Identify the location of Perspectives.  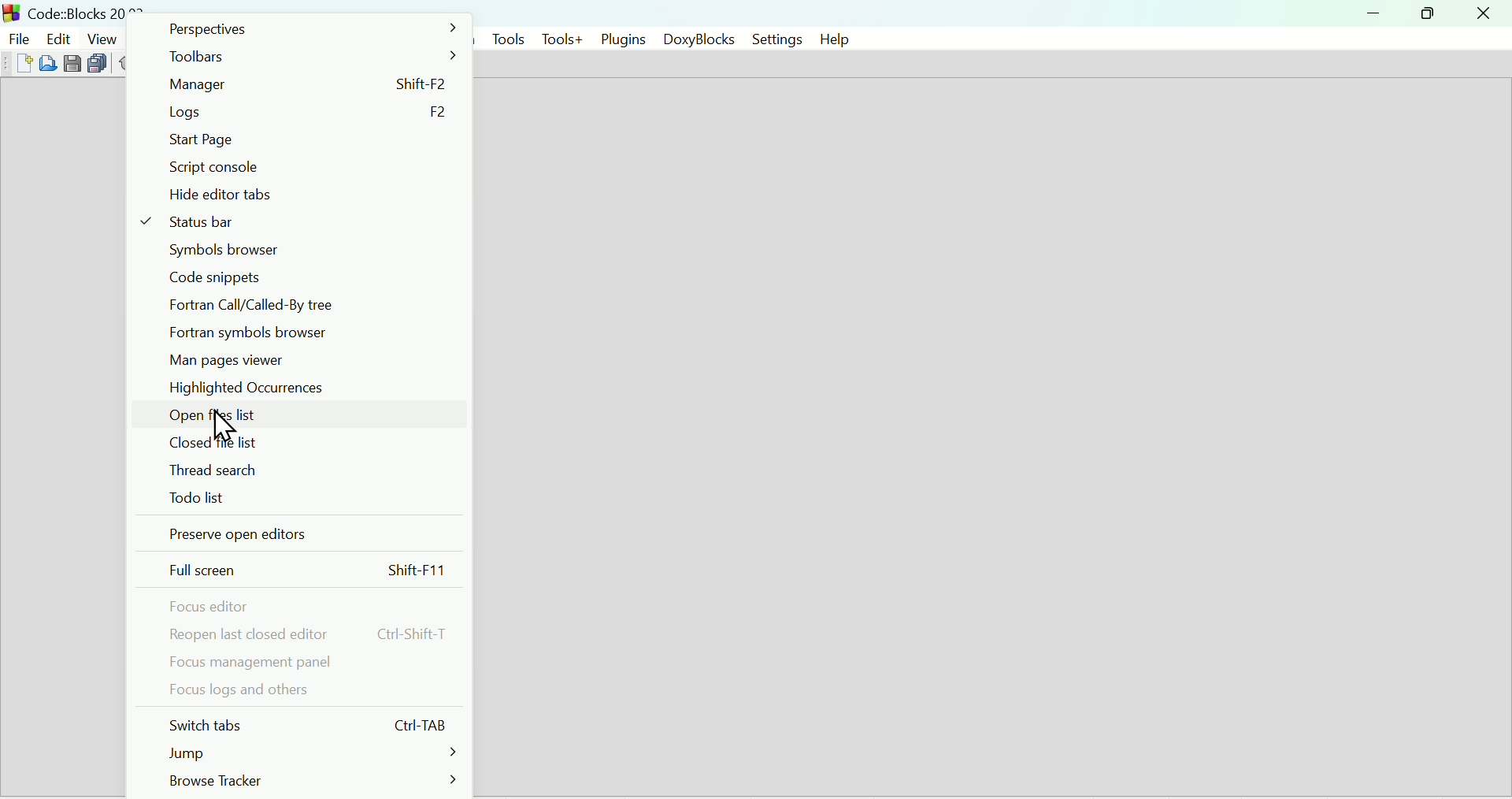
(309, 28).